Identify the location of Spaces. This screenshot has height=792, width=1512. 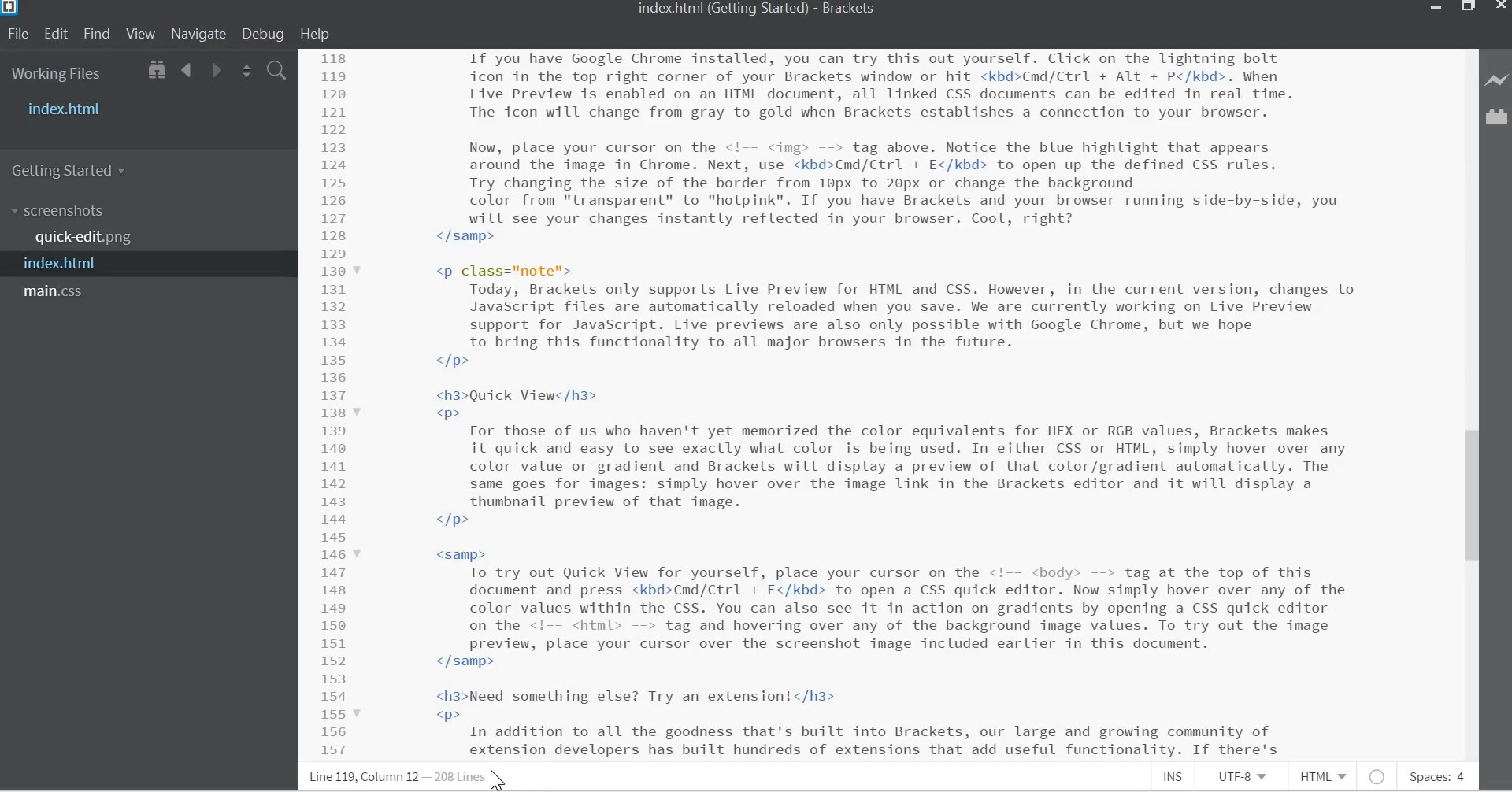
(1434, 777).